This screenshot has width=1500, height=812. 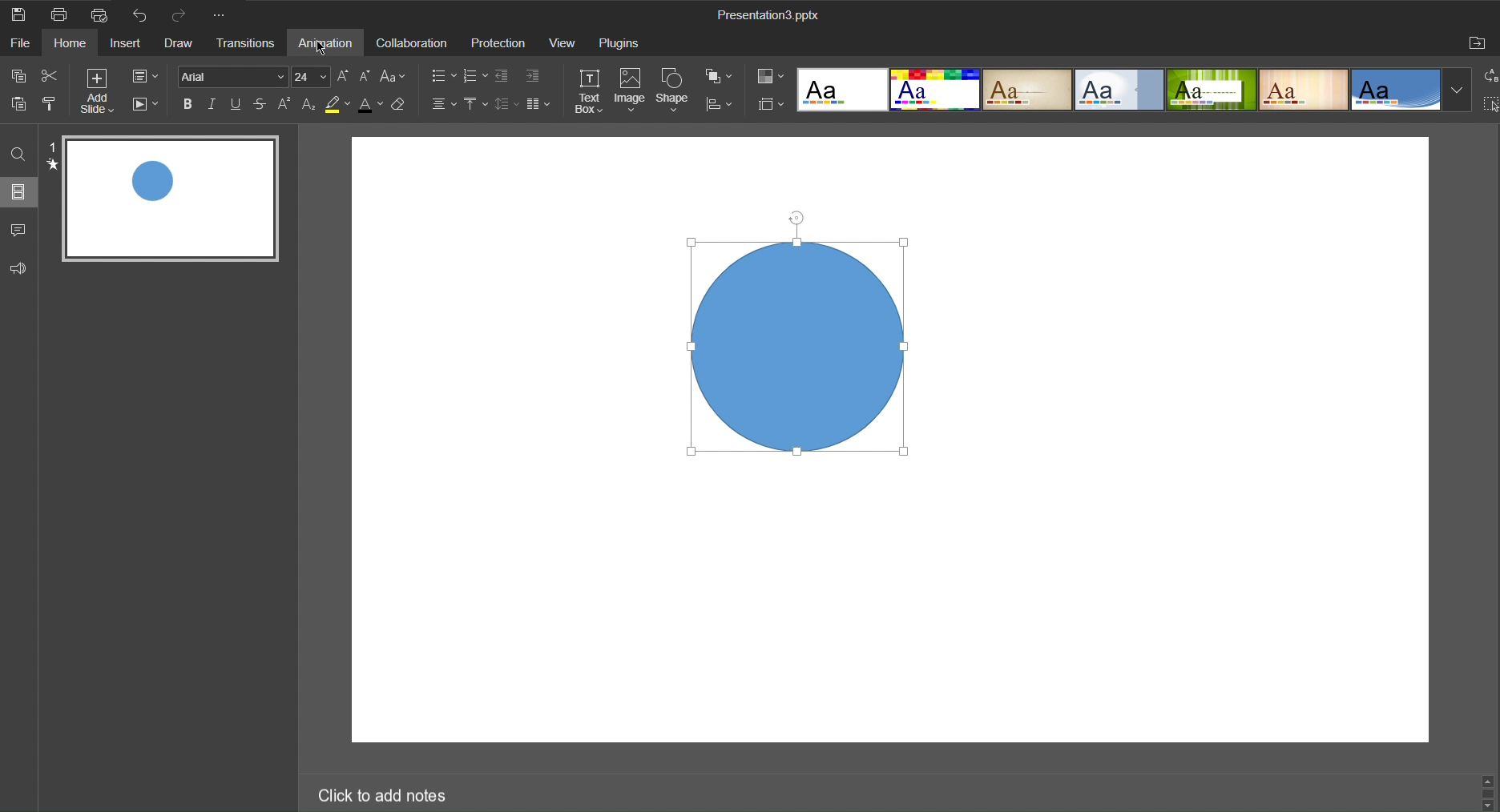 I want to click on Font, so click(x=233, y=78).